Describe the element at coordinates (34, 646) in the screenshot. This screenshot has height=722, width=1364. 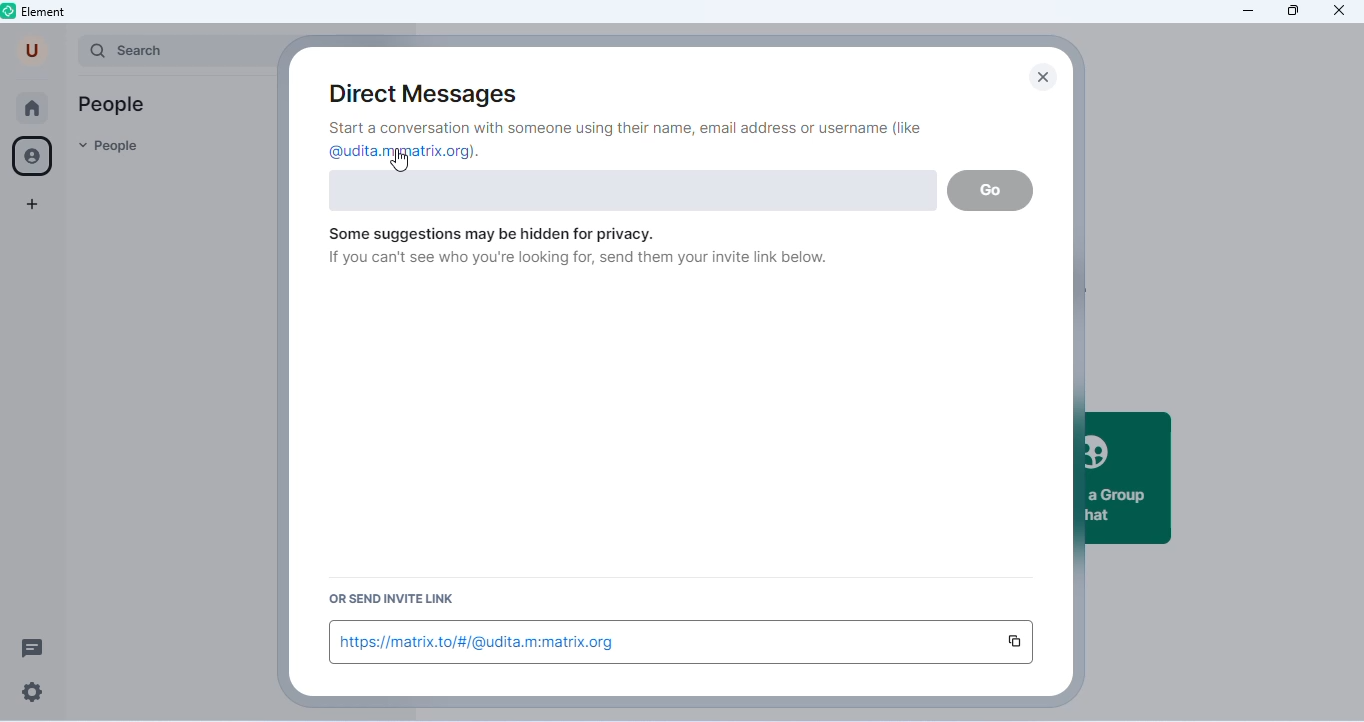
I see `threads` at that location.